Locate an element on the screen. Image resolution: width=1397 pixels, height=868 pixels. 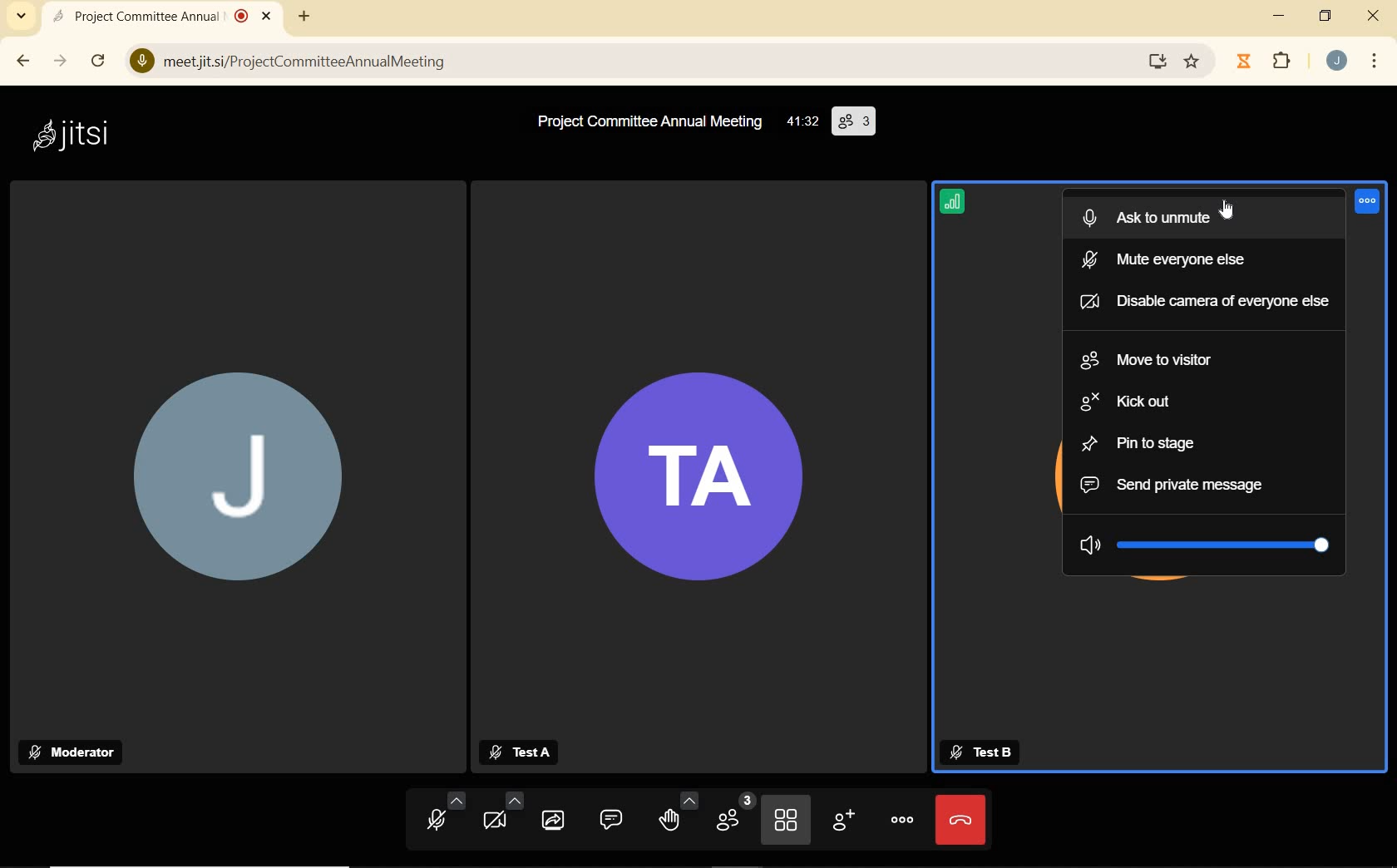
PARTICIPANTS is located at coordinates (735, 814).